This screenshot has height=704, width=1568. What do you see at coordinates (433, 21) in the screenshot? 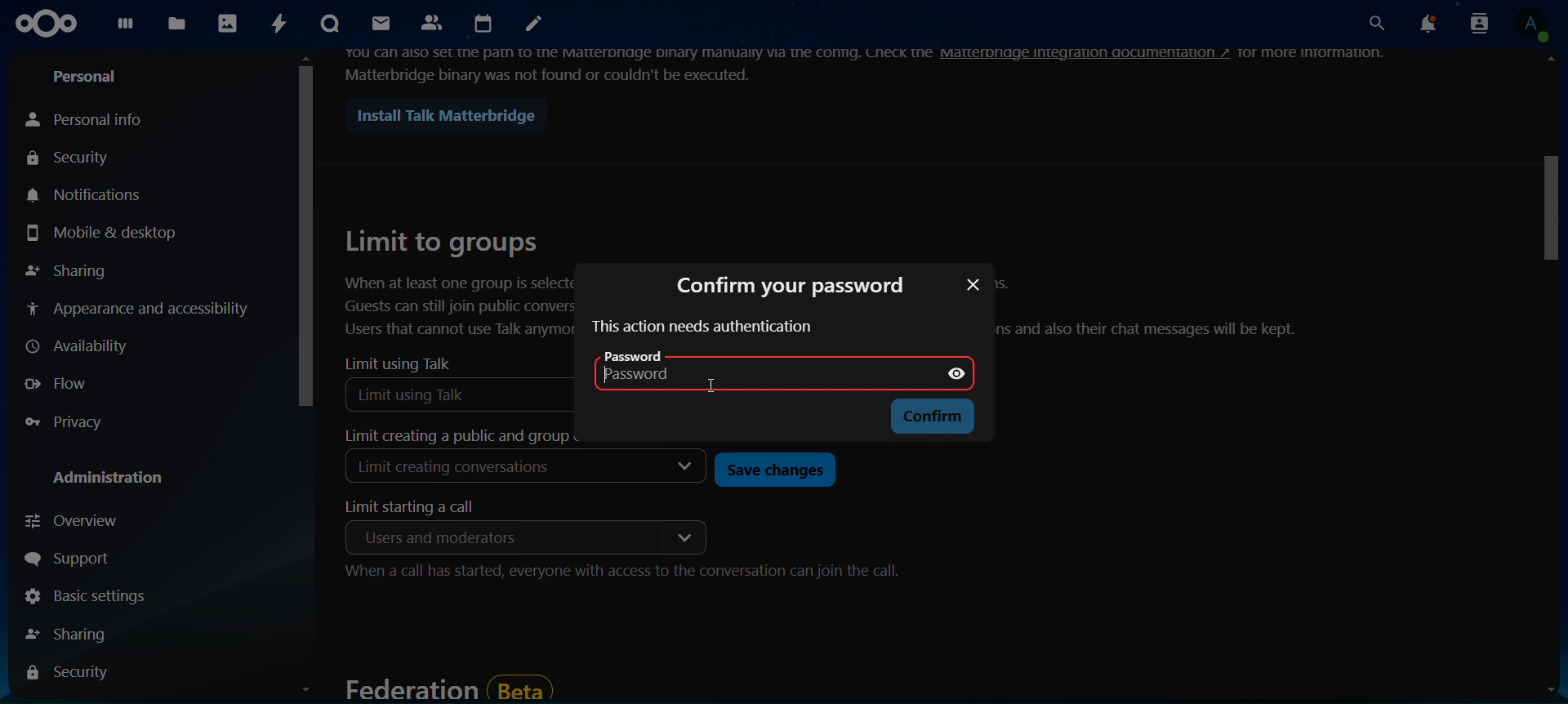
I see `contacts` at bounding box center [433, 21].